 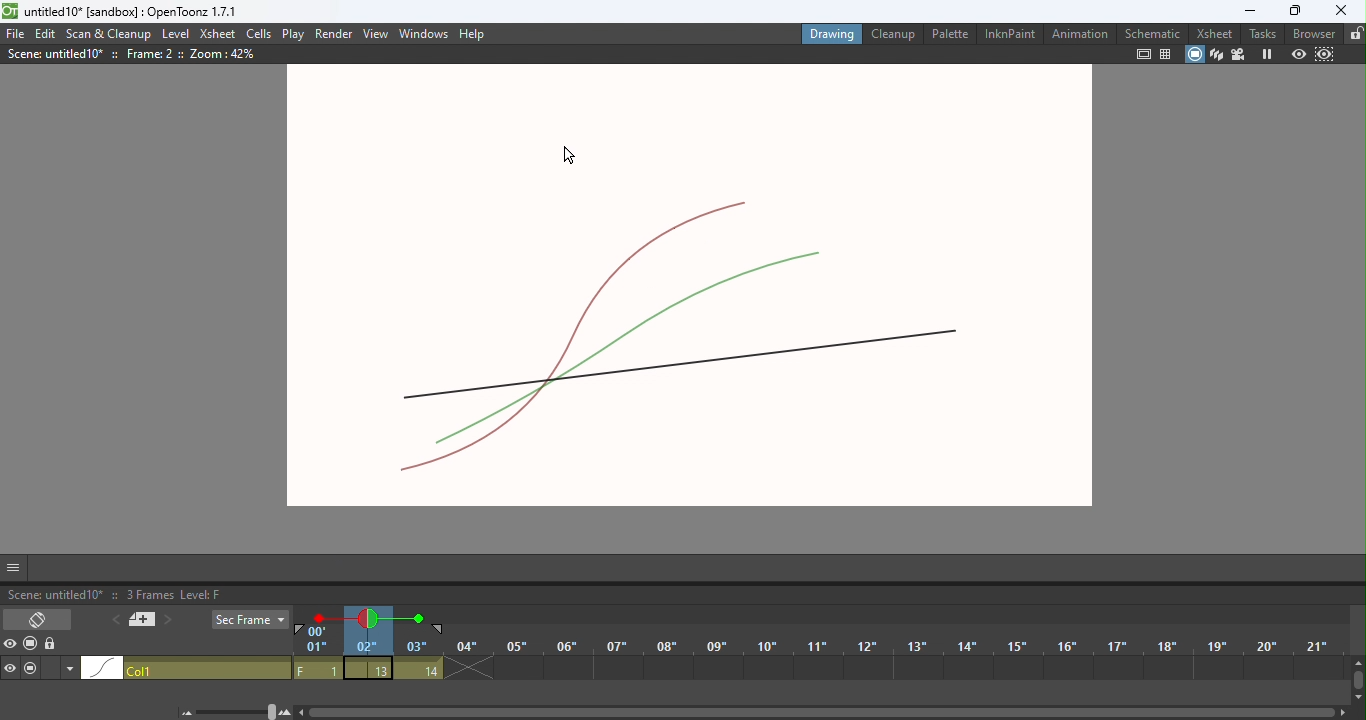 What do you see at coordinates (10, 646) in the screenshot?
I see `Preview visibility toggle all` at bounding box center [10, 646].